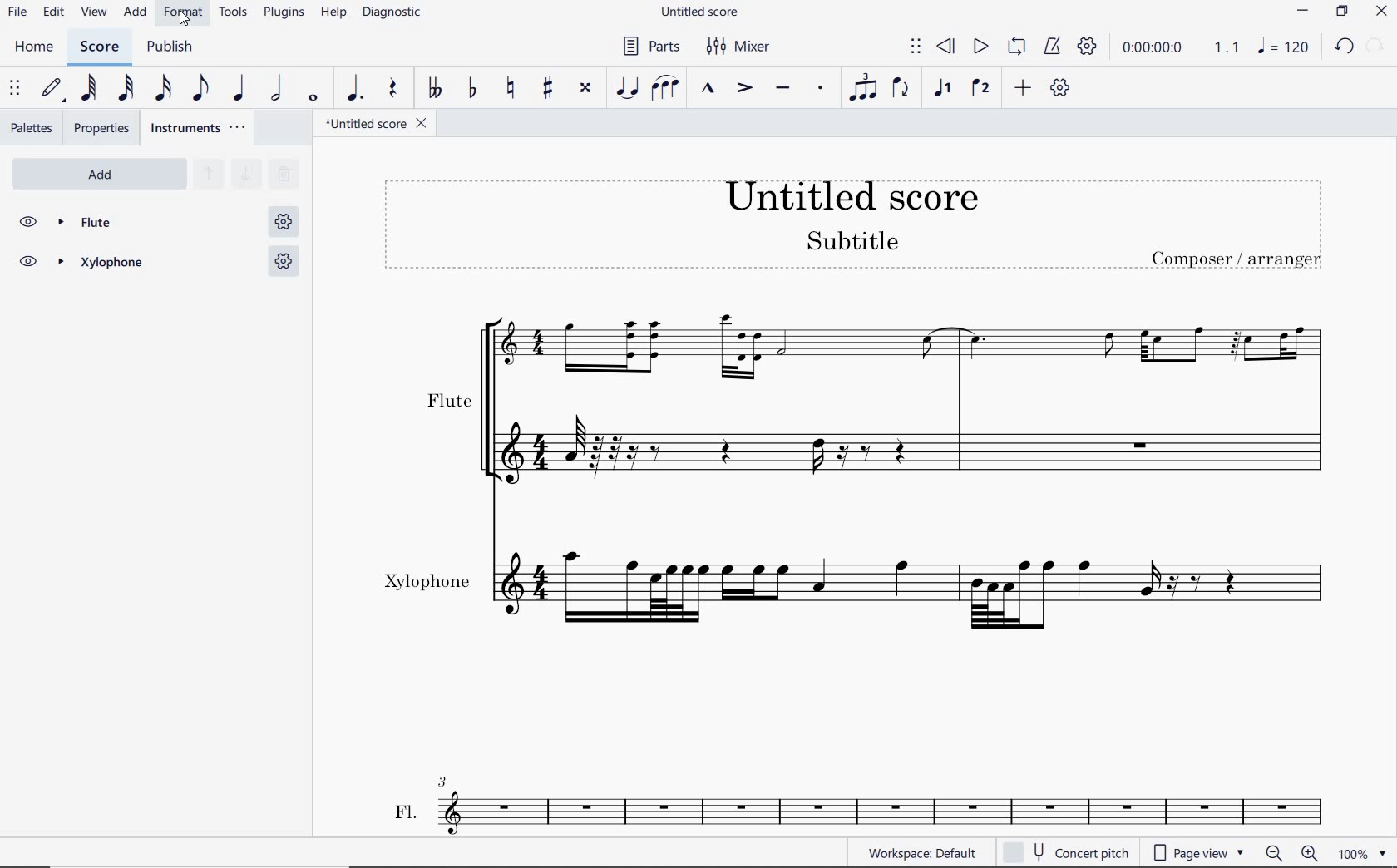 This screenshot has width=1397, height=868. What do you see at coordinates (471, 88) in the screenshot?
I see `TOGGLE FLAT` at bounding box center [471, 88].